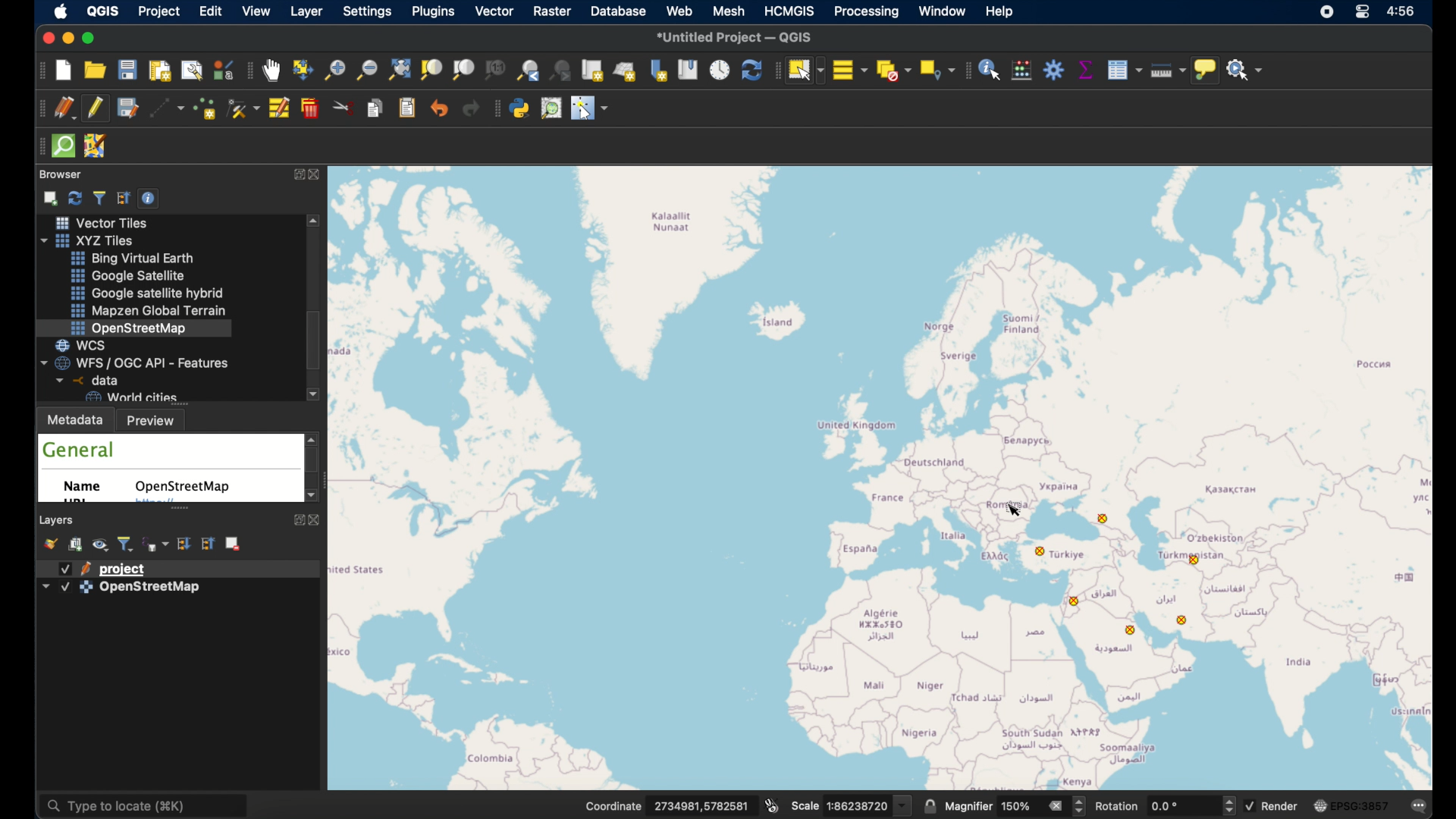 This screenshot has height=819, width=1456. Describe the element at coordinates (1022, 70) in the screenshot. I see `open field calculator` at that location.